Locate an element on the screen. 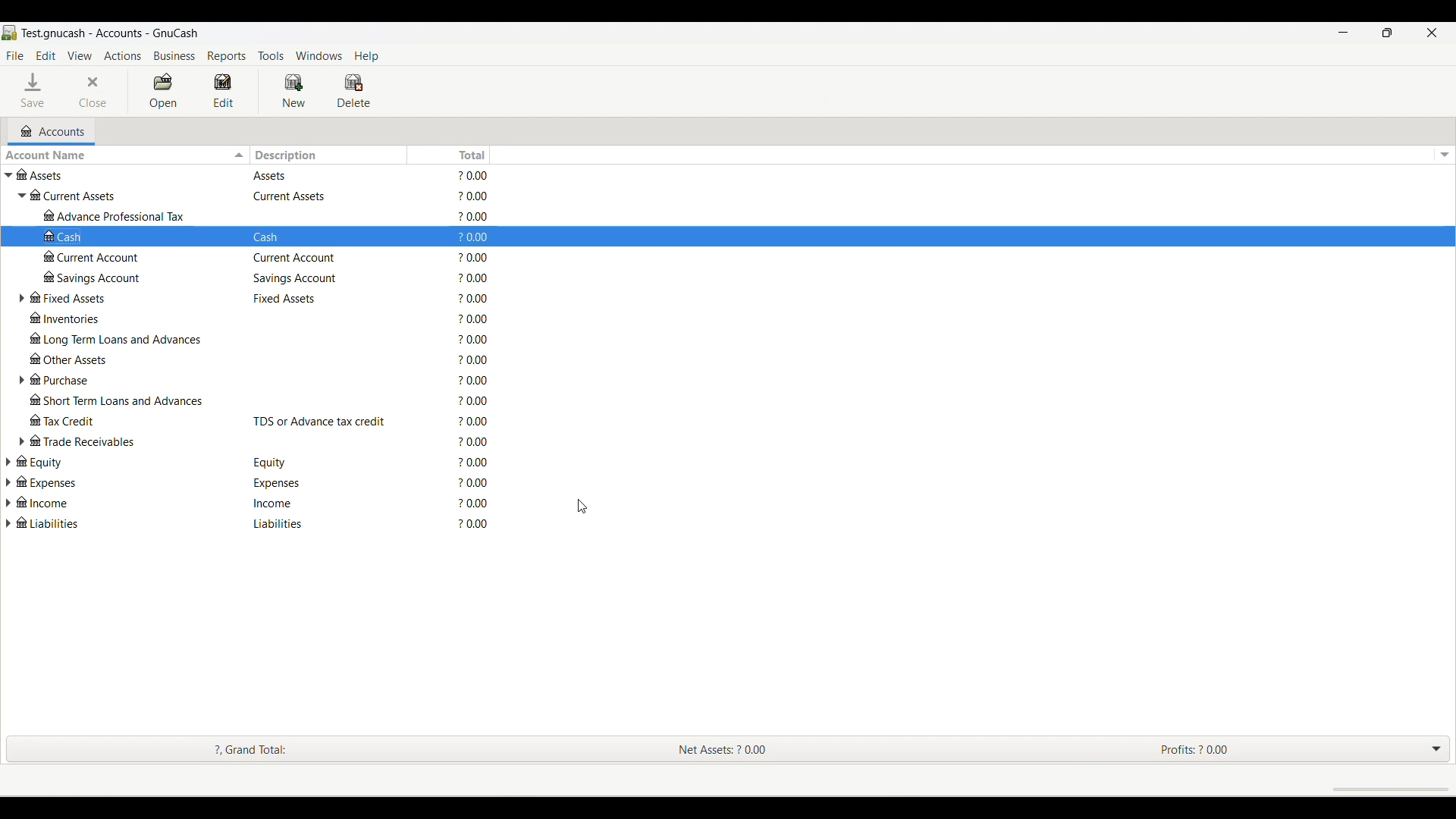 The width and height of the screenshot is (1456, 819). Profits: ? 0.00 is located at coordinates (1213, 751).